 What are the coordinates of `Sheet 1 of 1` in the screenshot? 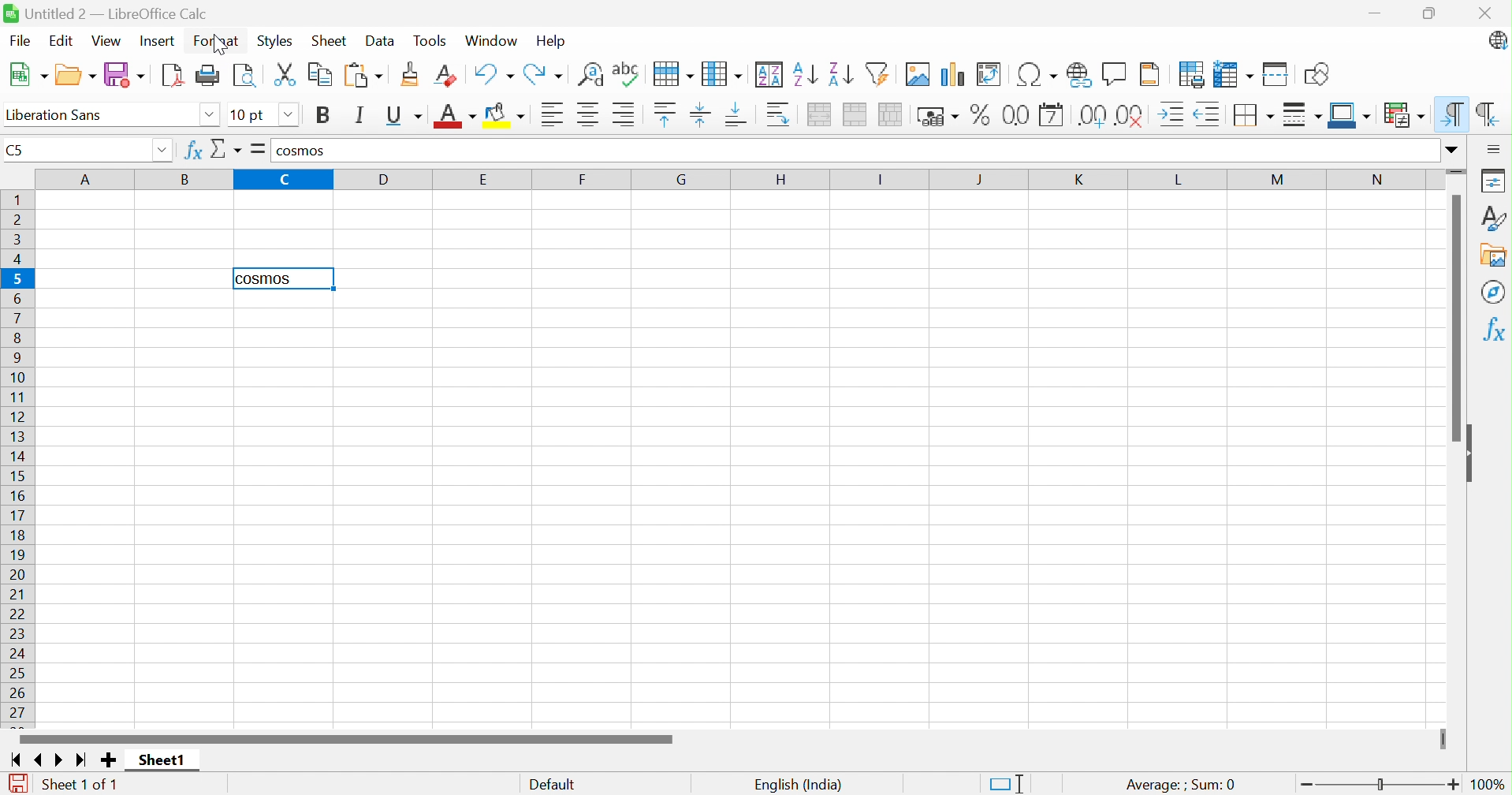 It's located at (84, 786).